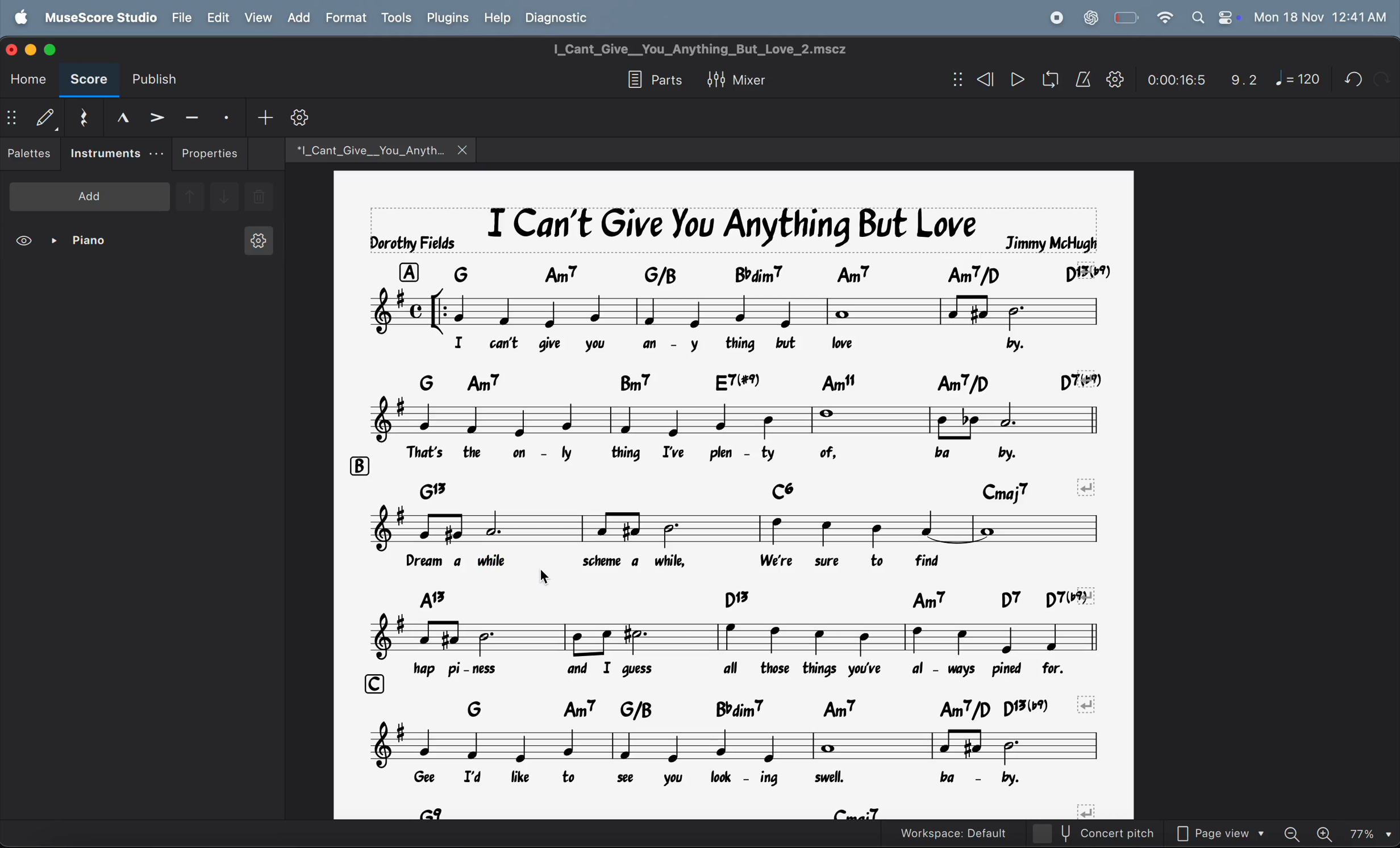 The height and width of the screenshot is (848, 1400). I want to click on battery, so click(1126, 16).